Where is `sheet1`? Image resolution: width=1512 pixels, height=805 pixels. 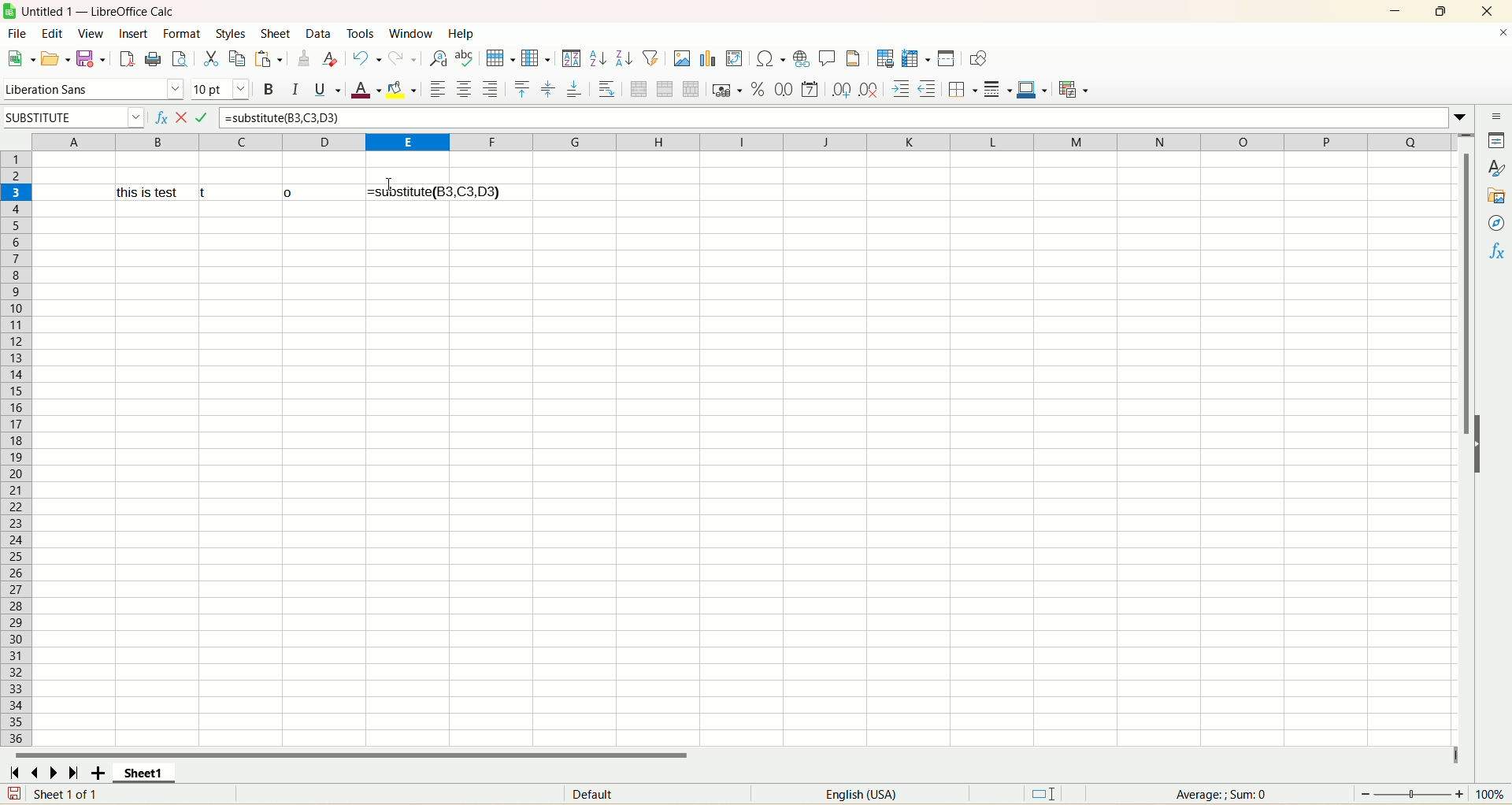 sheet1 is located at coordinates (157, 770).